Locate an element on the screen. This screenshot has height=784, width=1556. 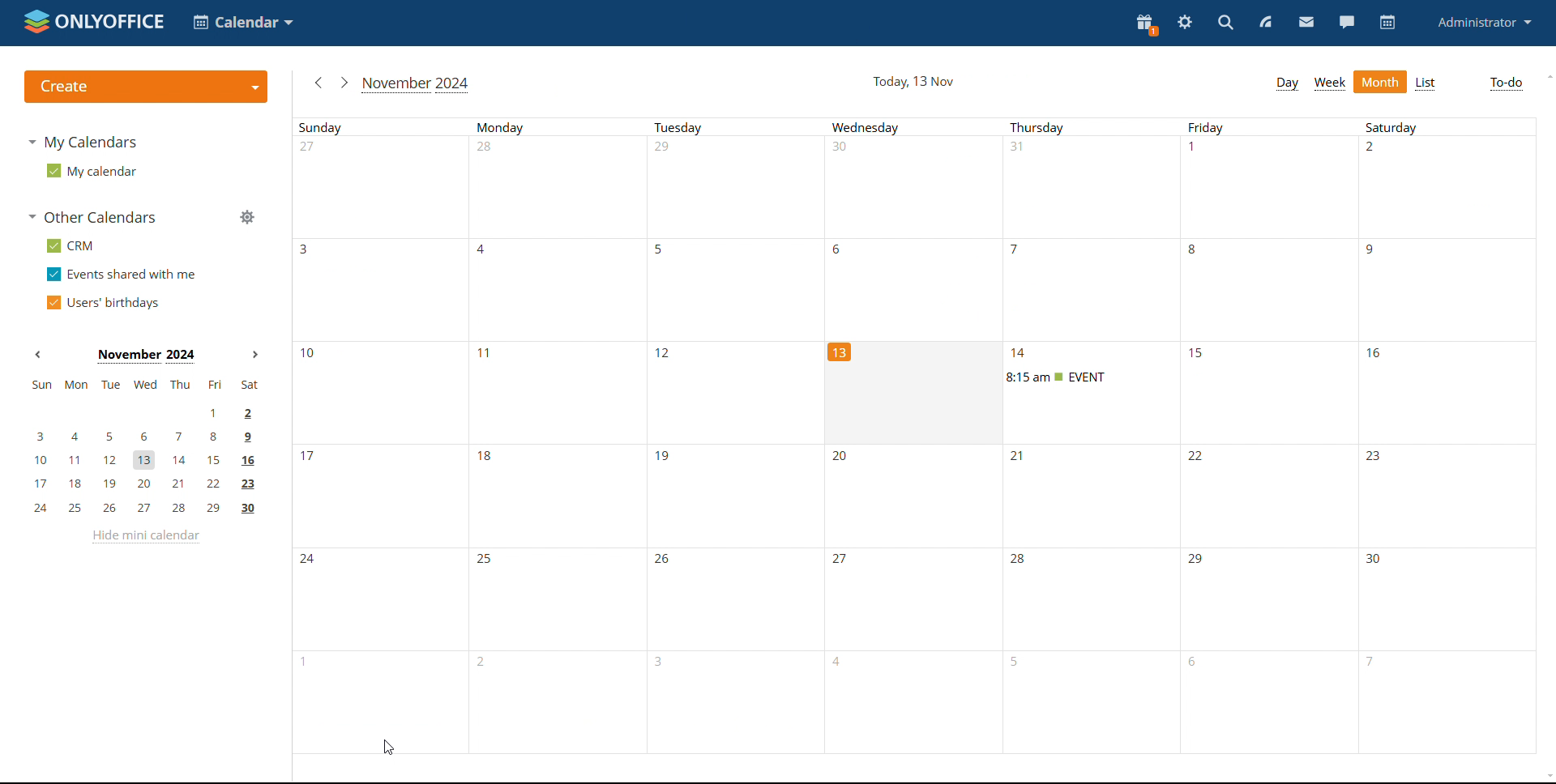
upcoming event is located at coordinates (1058, 377).